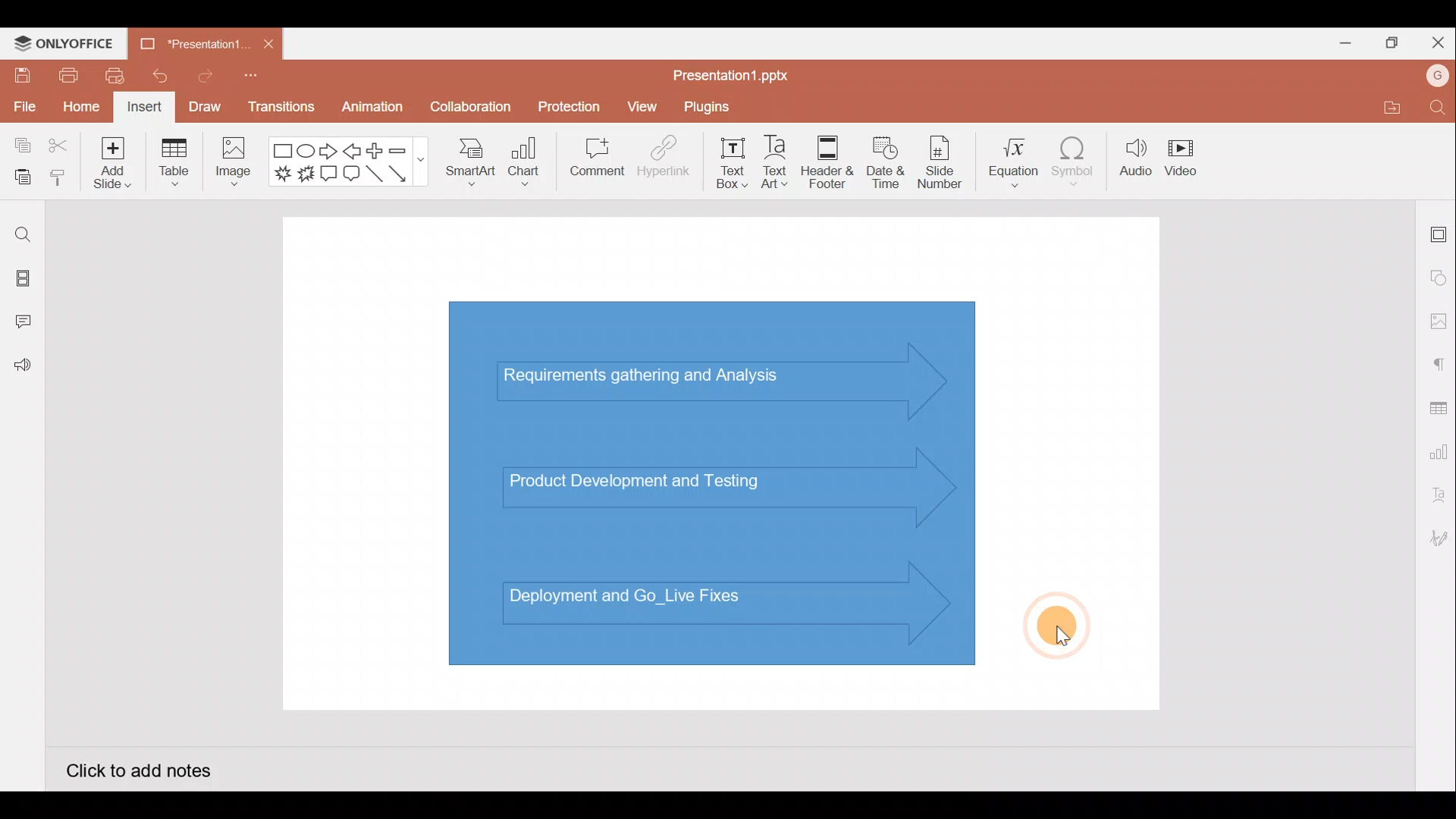 Image resolution: width=1456 pixels, height=819 pixels. I want to click on Find, so click(23, 234).